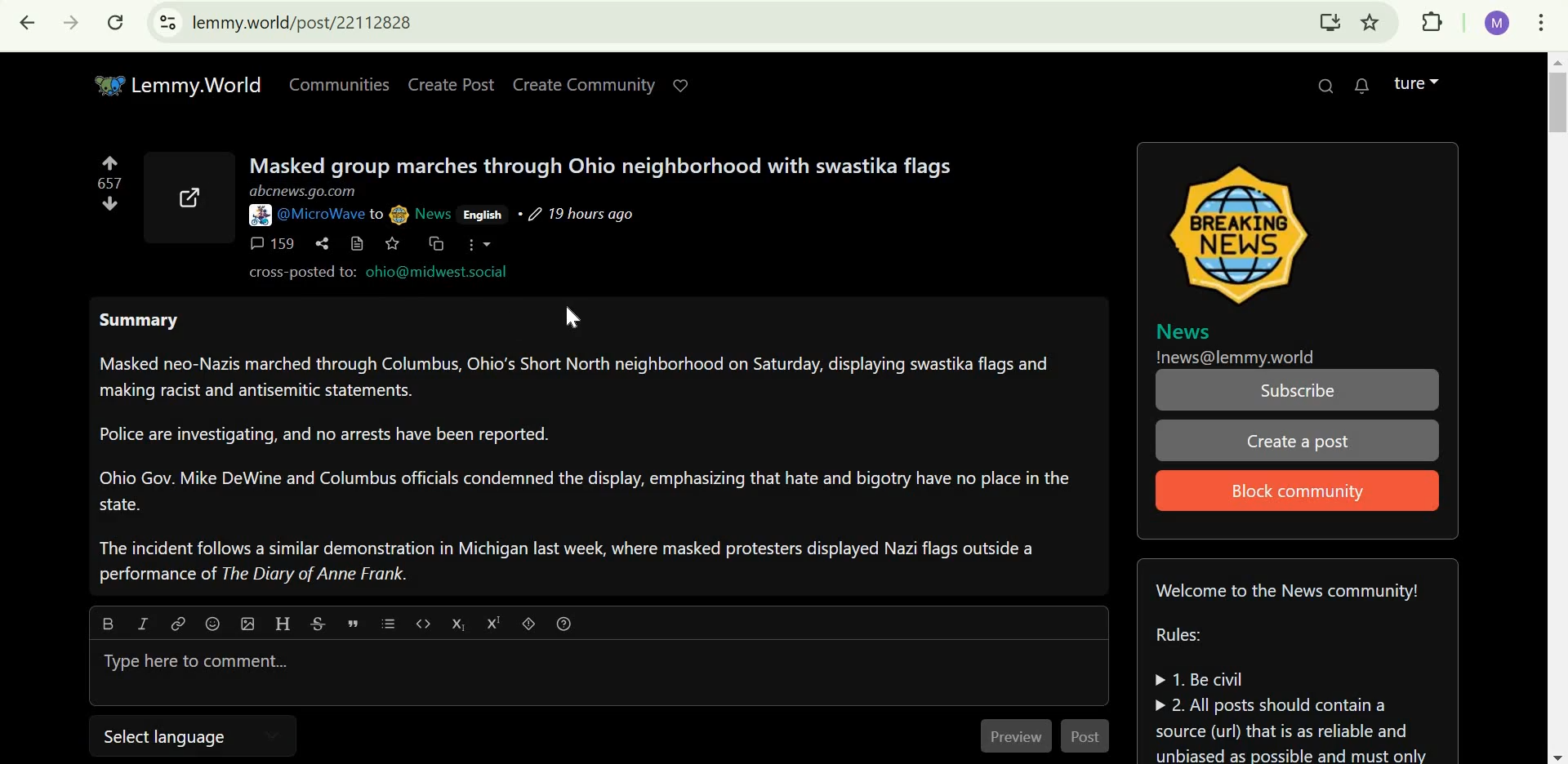  I want to click on Community guidelines, so click(1296, 668).